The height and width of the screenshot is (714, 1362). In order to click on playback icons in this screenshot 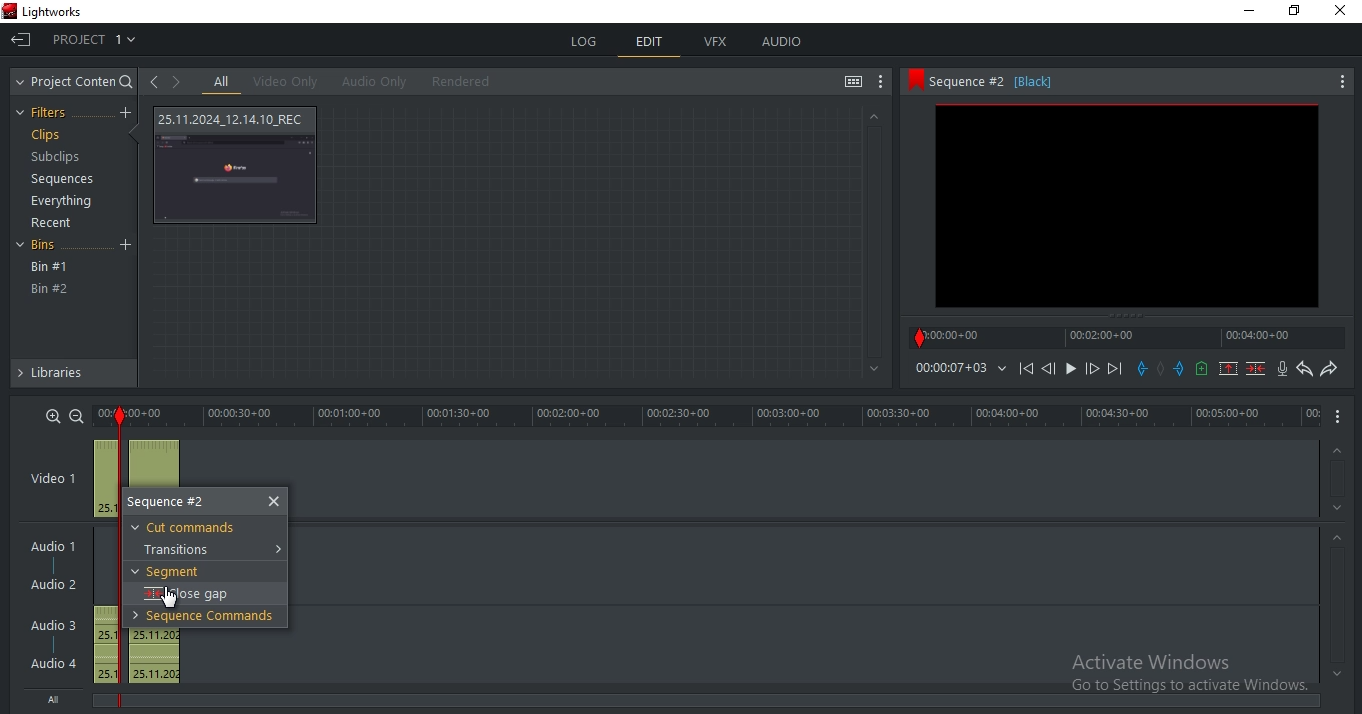, I will do `click(1025, 367)`.